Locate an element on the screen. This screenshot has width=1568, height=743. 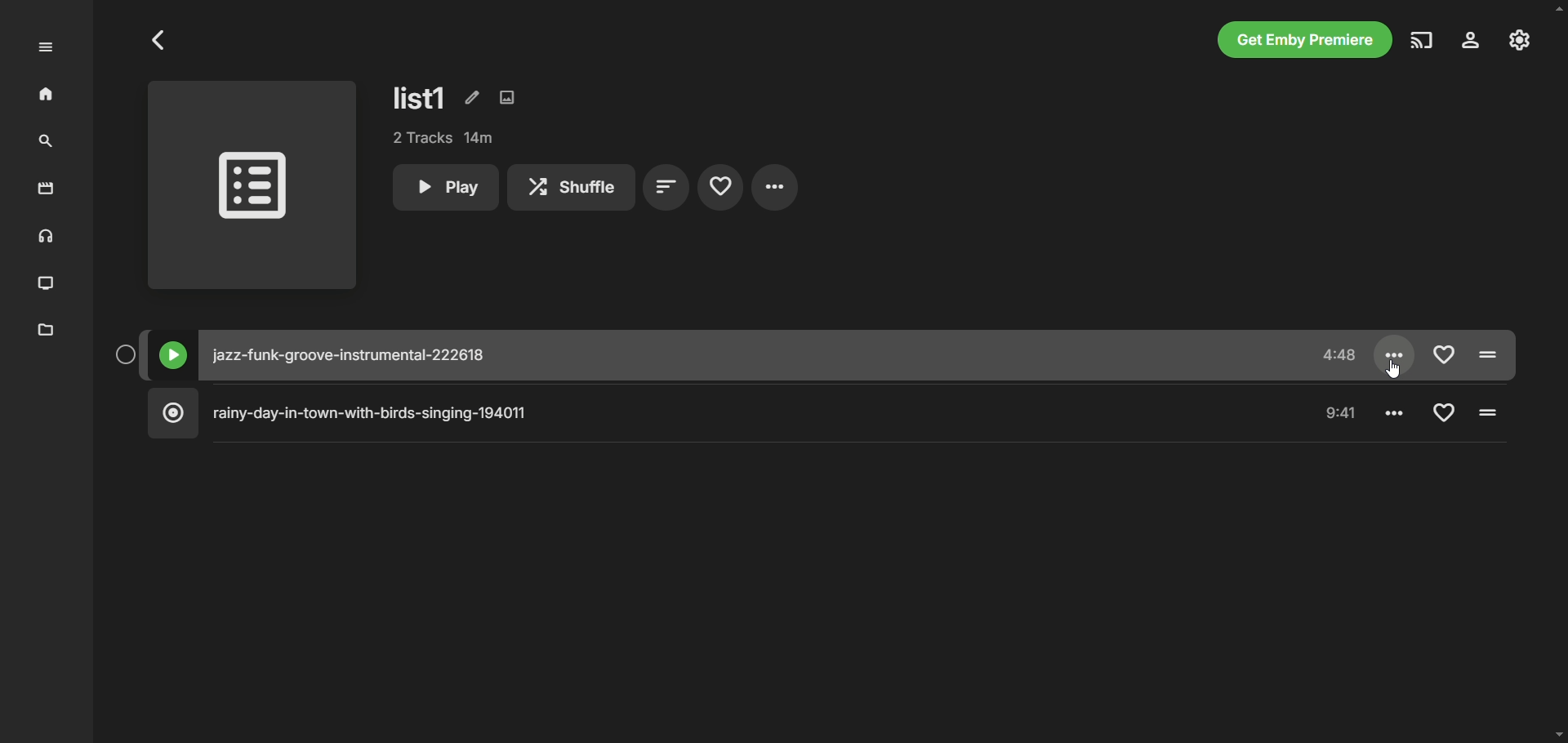
play on another device is located at coordinates (1423, 40).